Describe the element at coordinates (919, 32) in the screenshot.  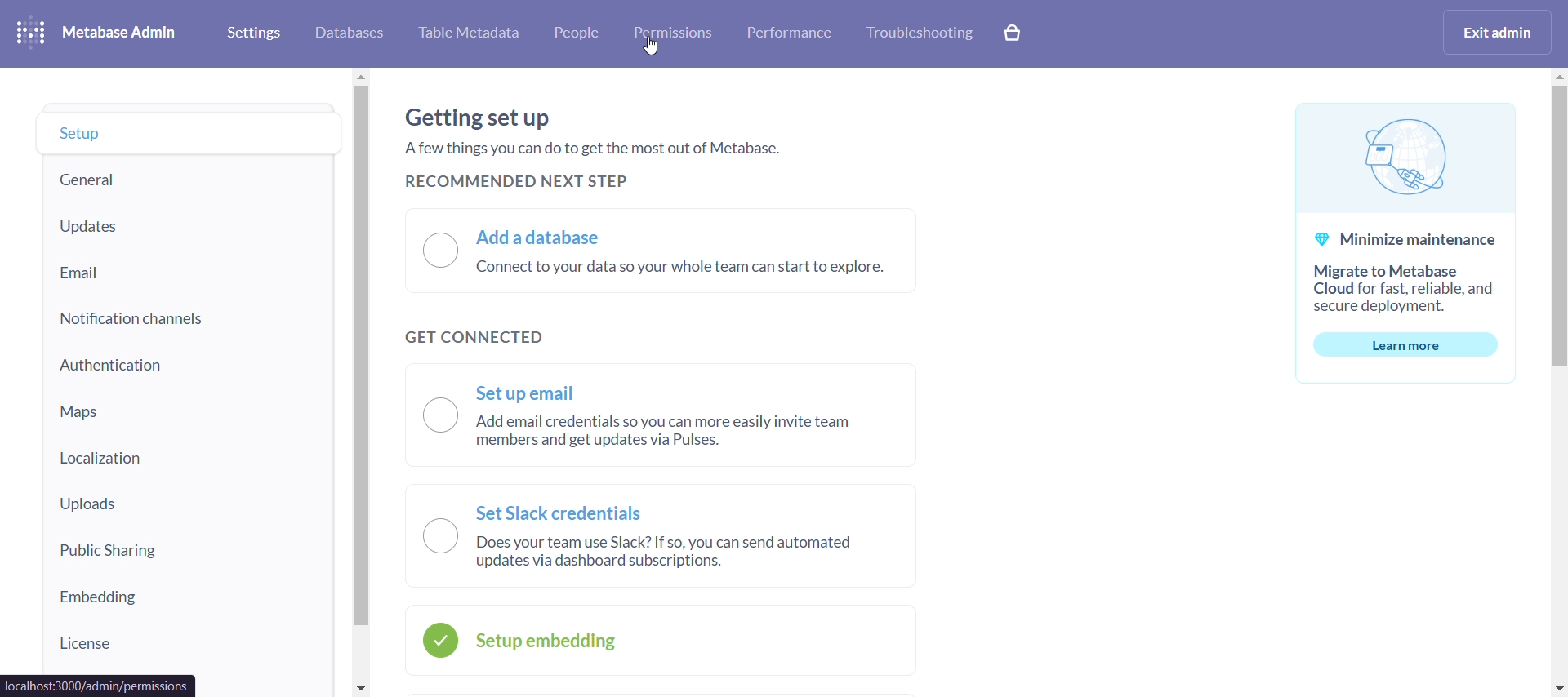
I see `trobleshooting` at that location.